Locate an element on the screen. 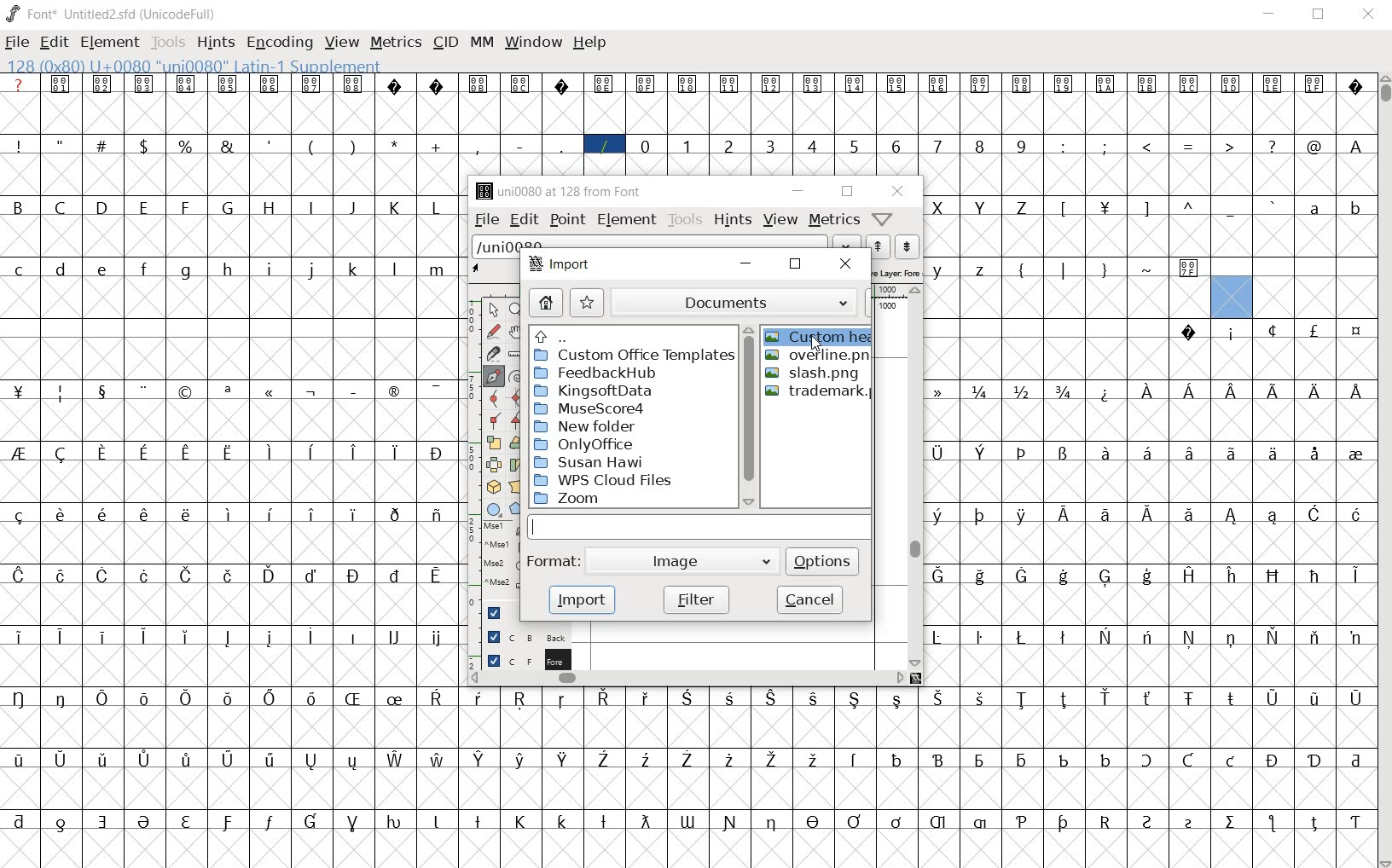 The width and height of the screenshot is (1392, 868). glyph is located at coordinates (1147, 822).